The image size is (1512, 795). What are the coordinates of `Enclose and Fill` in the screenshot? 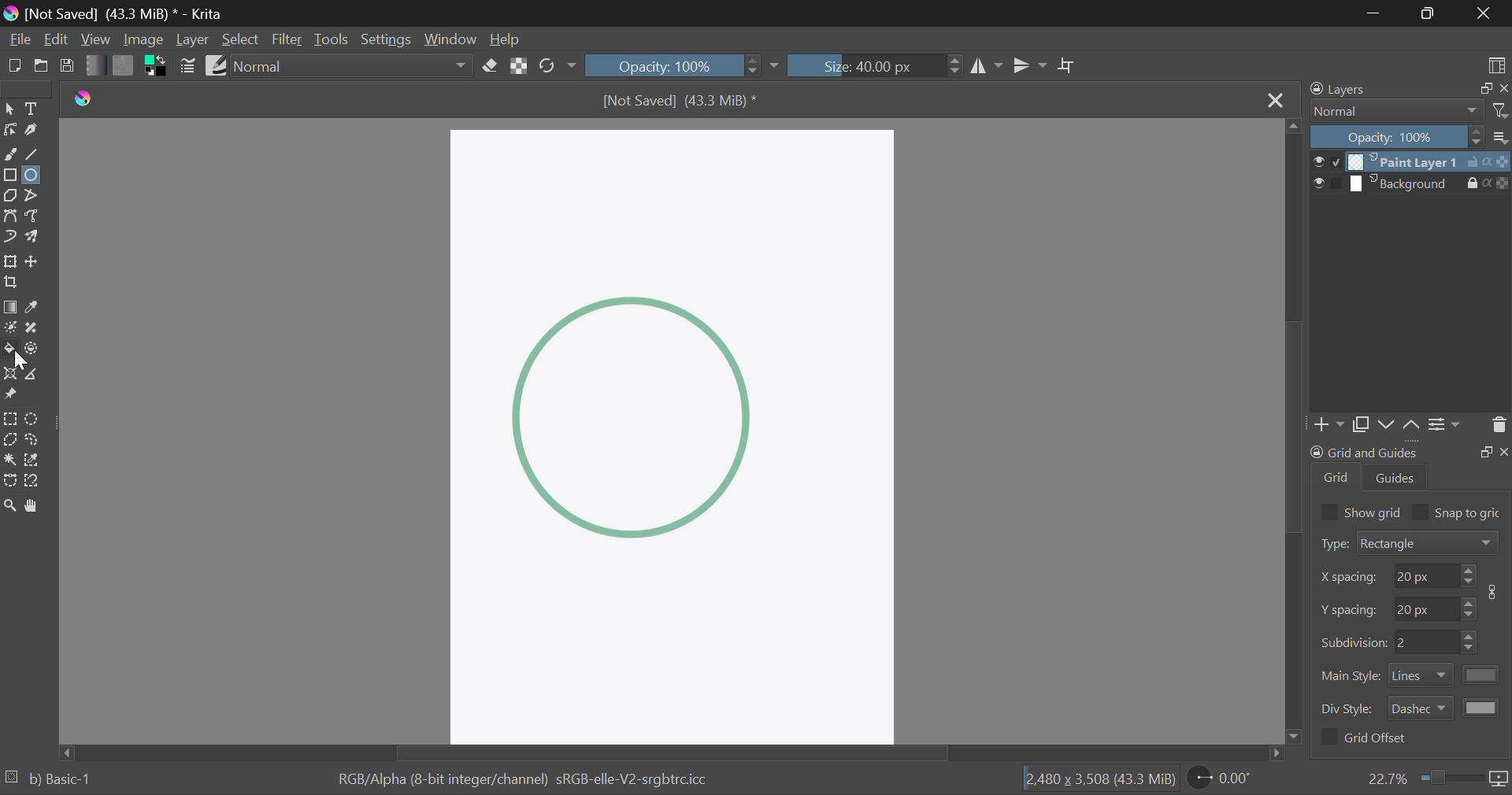 It's located at (34, 349).